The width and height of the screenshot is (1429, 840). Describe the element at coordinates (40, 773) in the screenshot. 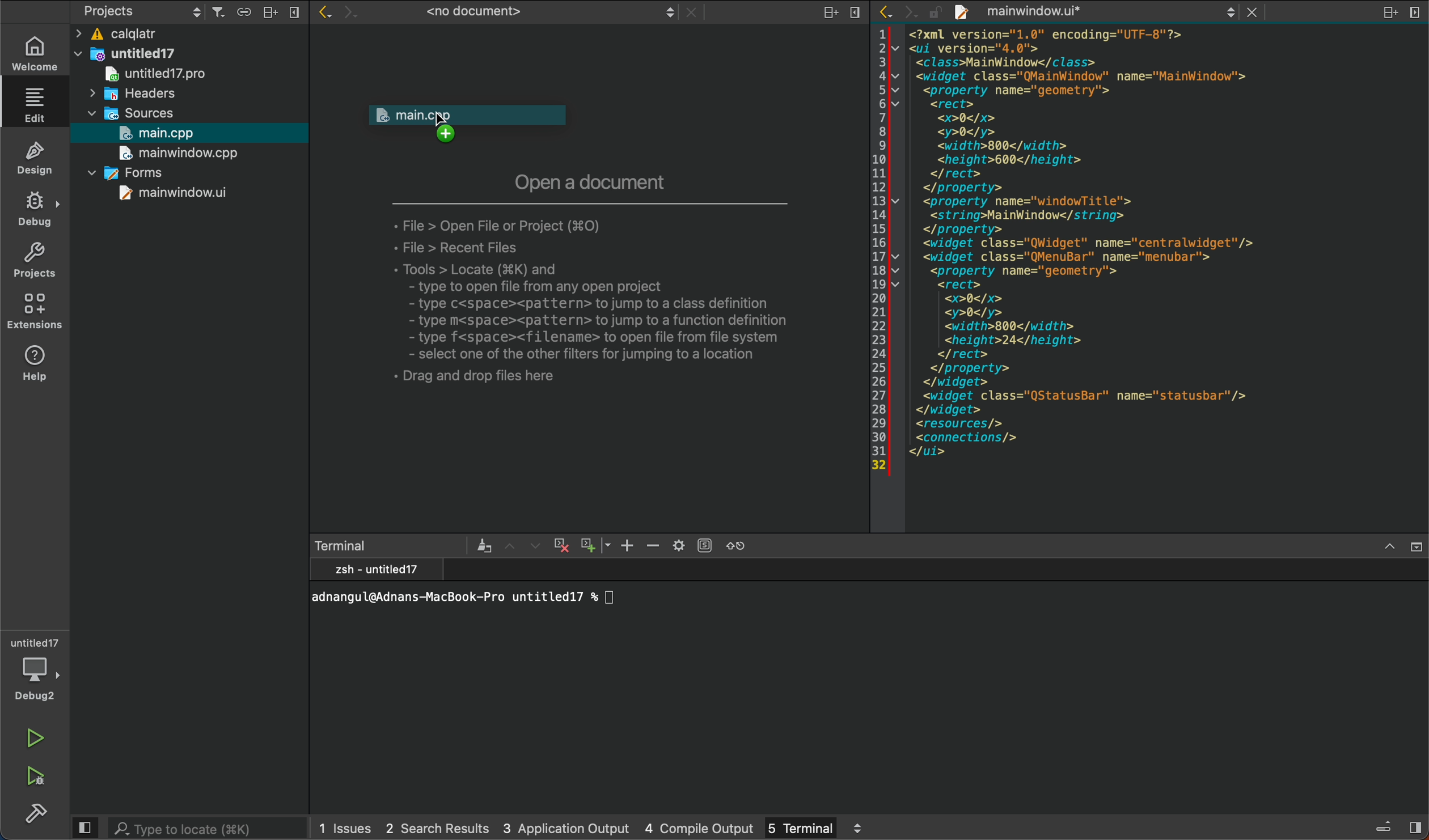

I see `run and debug` at that location.